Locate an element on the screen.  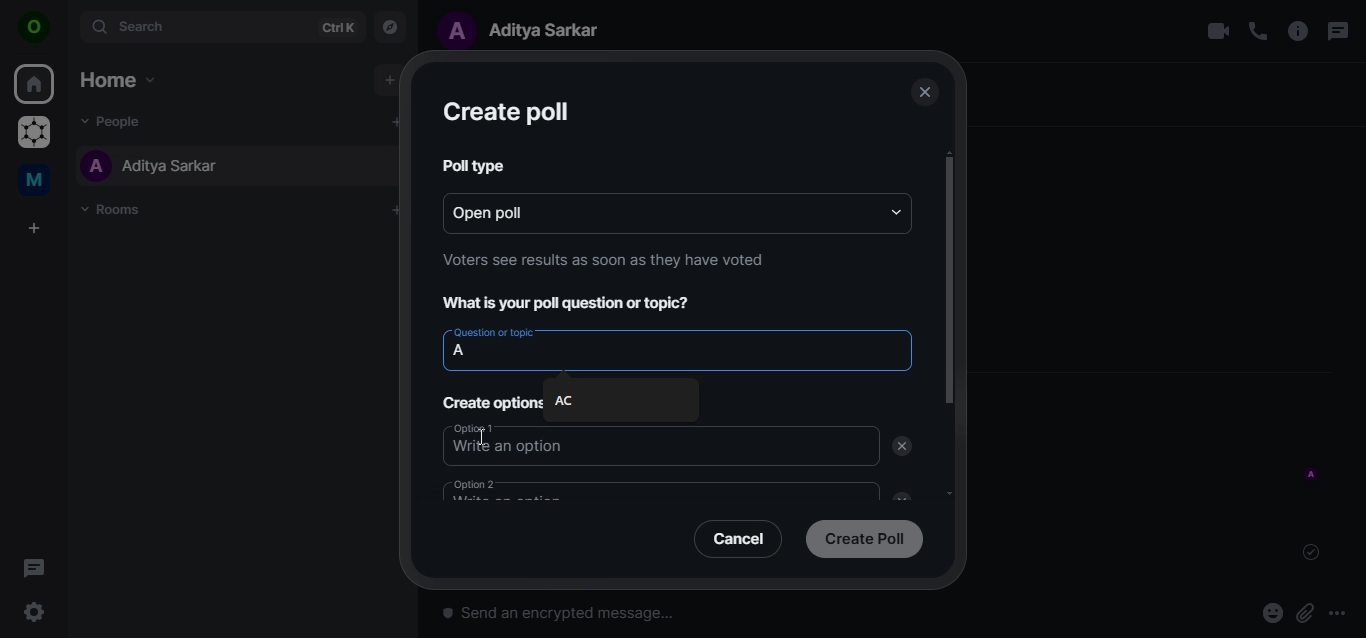
quicker settings is located at coordinates (37, 613).